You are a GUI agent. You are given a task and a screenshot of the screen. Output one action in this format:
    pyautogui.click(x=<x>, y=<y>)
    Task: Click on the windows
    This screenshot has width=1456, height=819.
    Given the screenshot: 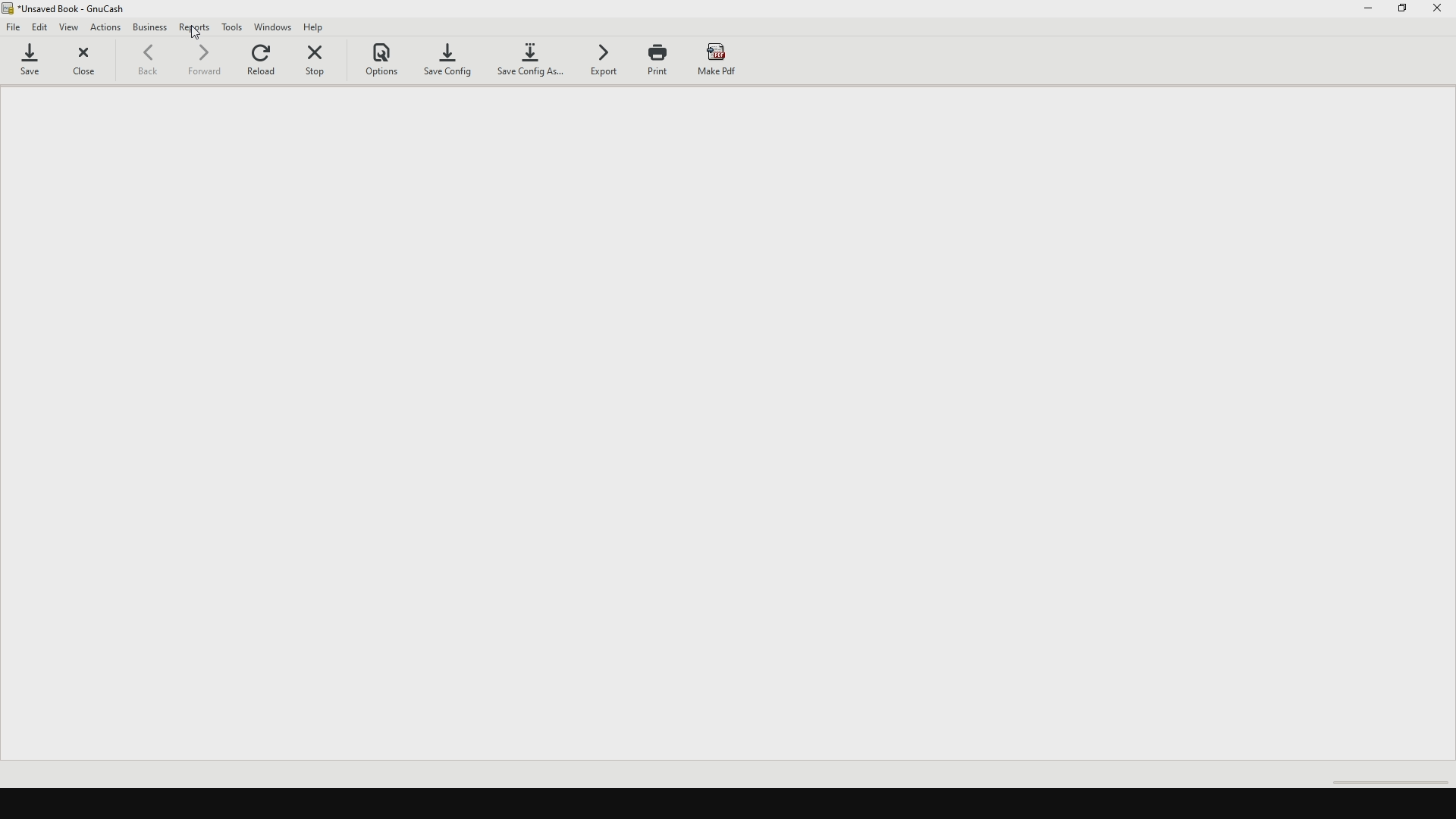 What is the action you would take?
    pyautogui.click(x=275, y=27)
    